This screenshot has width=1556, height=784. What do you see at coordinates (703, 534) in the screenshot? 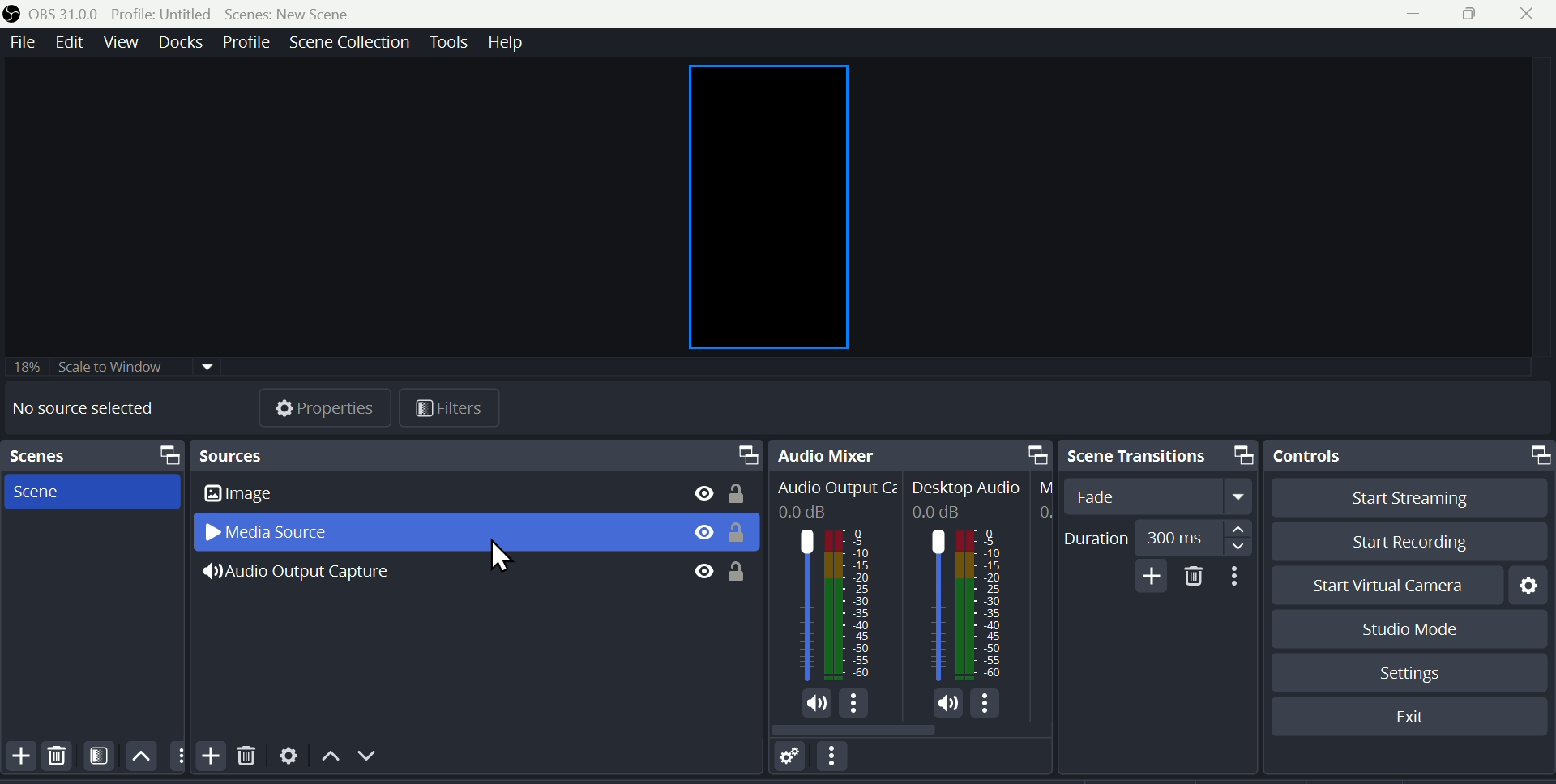
I see `Visibility` at bounding box center [703, 534].